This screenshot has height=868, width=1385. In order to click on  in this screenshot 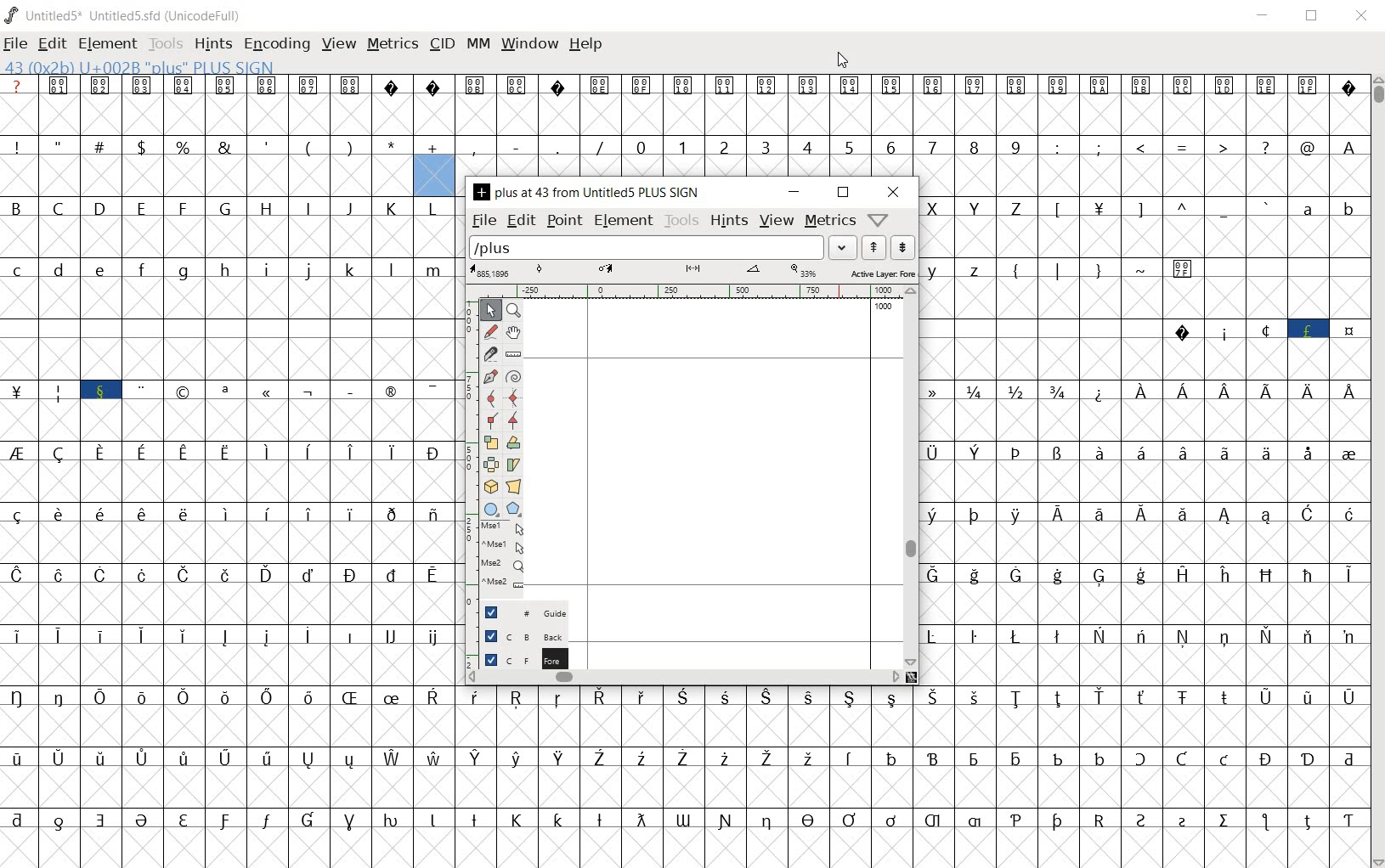, I will do `click(1144, 595)`.